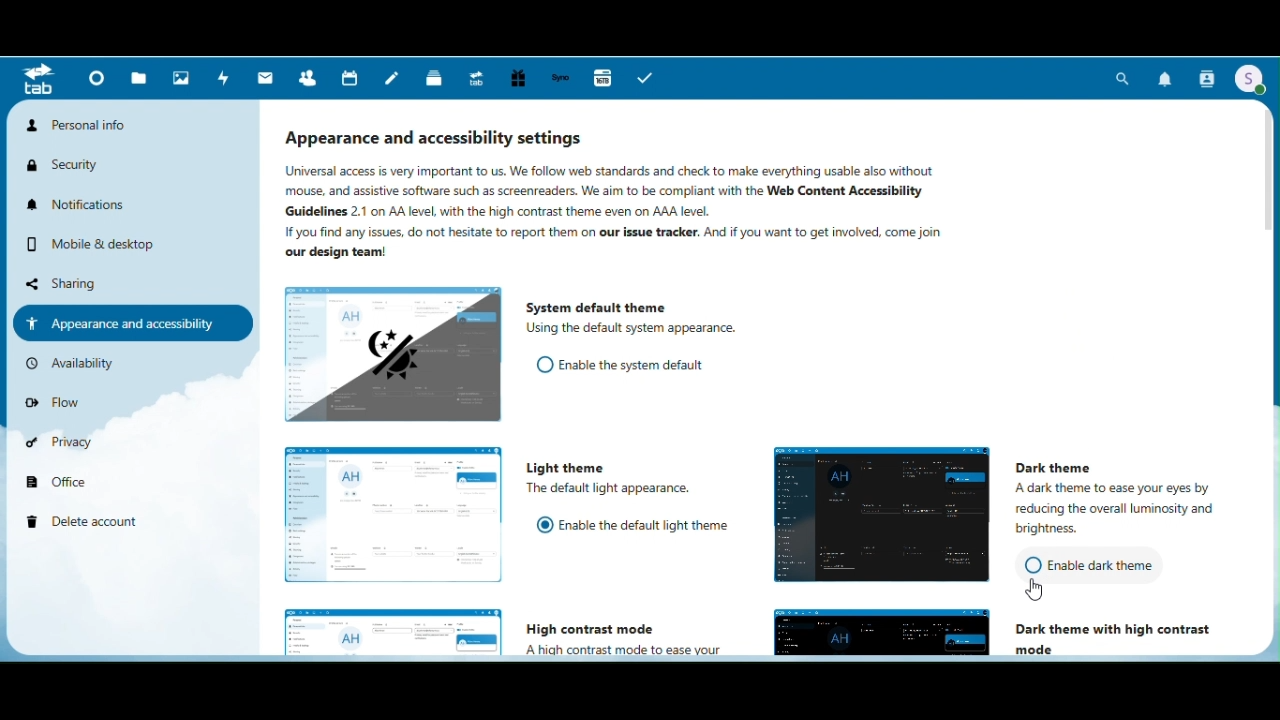 This screenshot has height=720, width=1280. I want to click on , so click(39, 82).